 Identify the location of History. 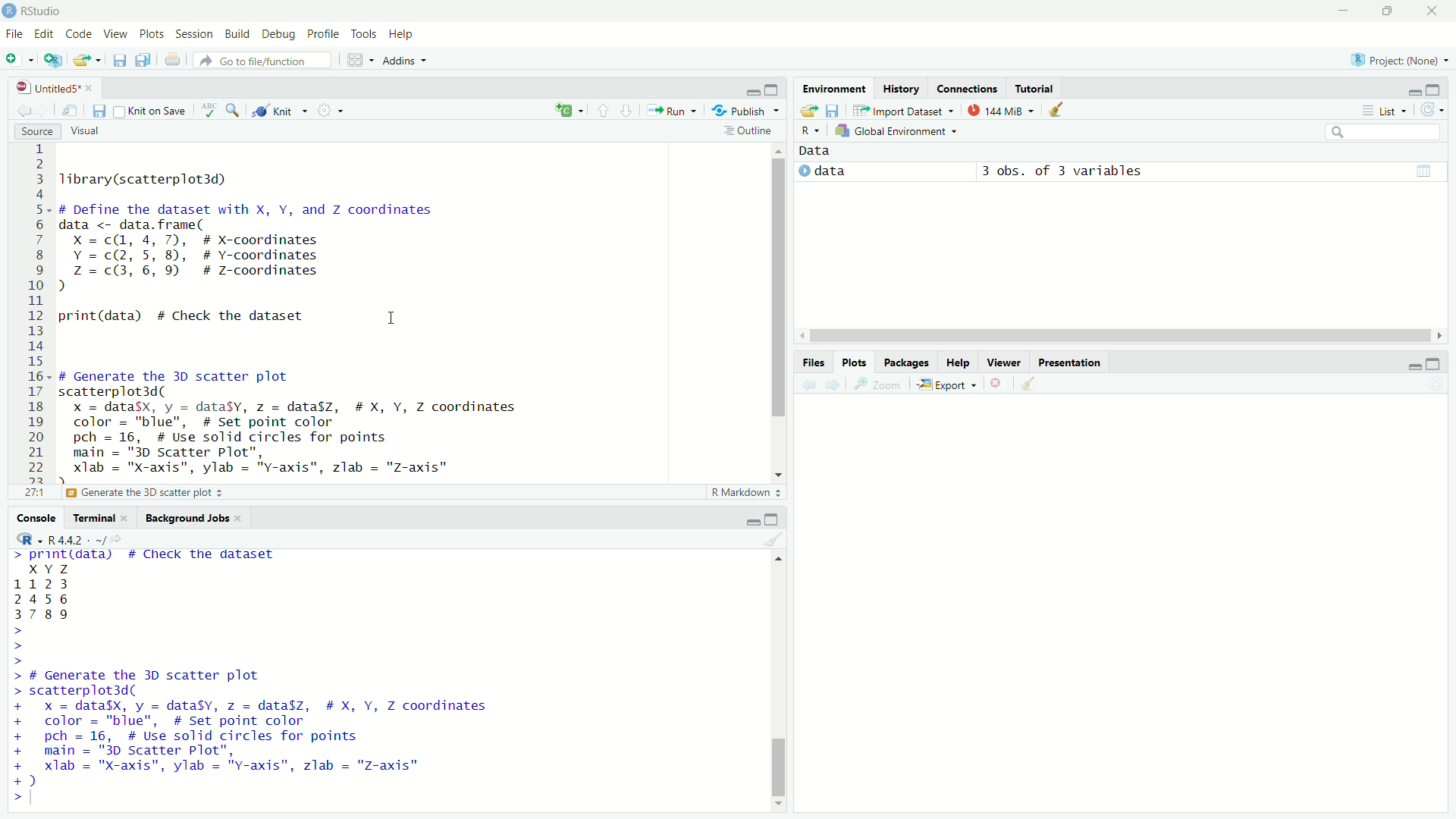
(899, 86).